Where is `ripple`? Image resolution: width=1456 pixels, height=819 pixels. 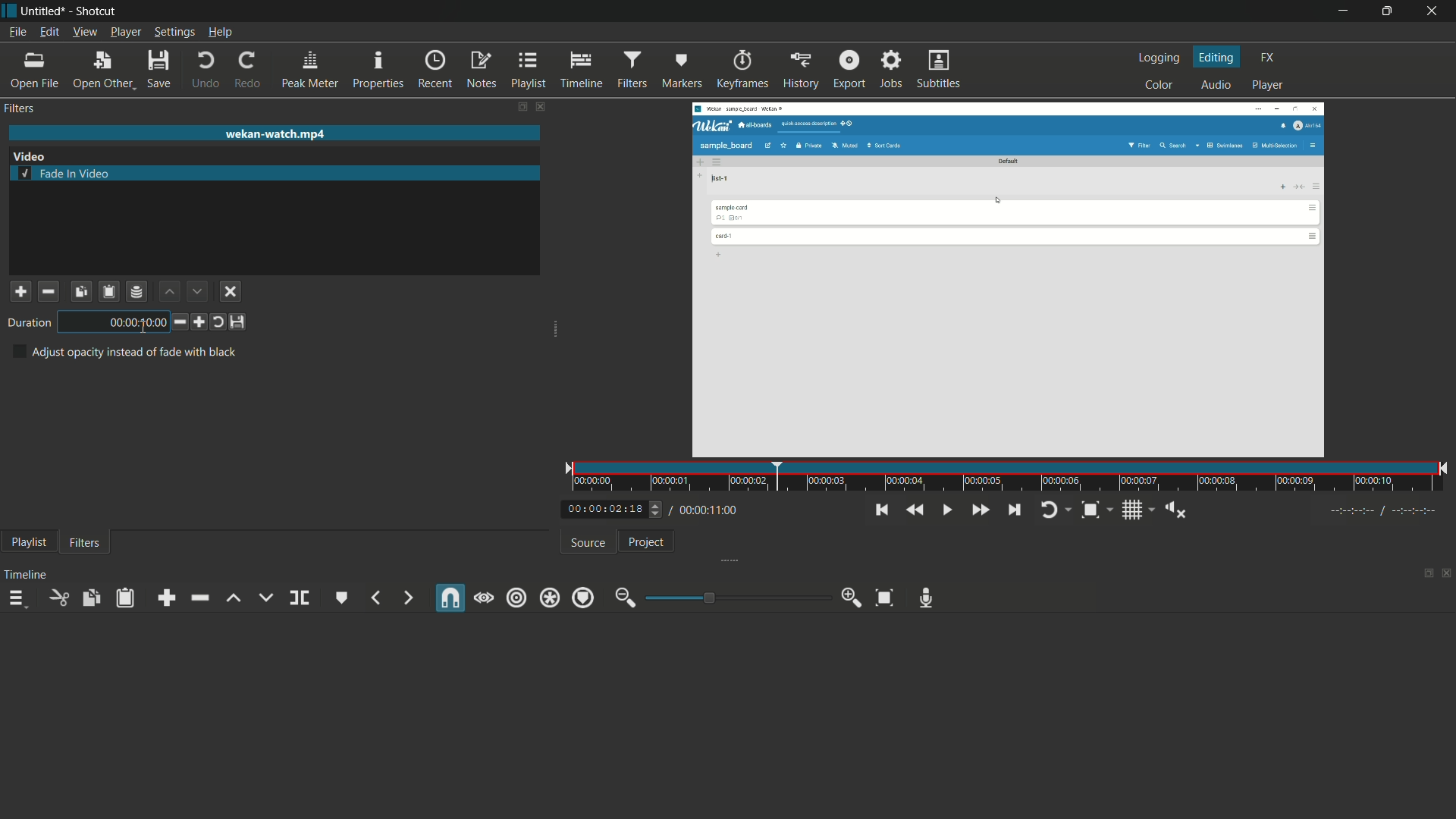
ripple is located at coordinates (517, 598).